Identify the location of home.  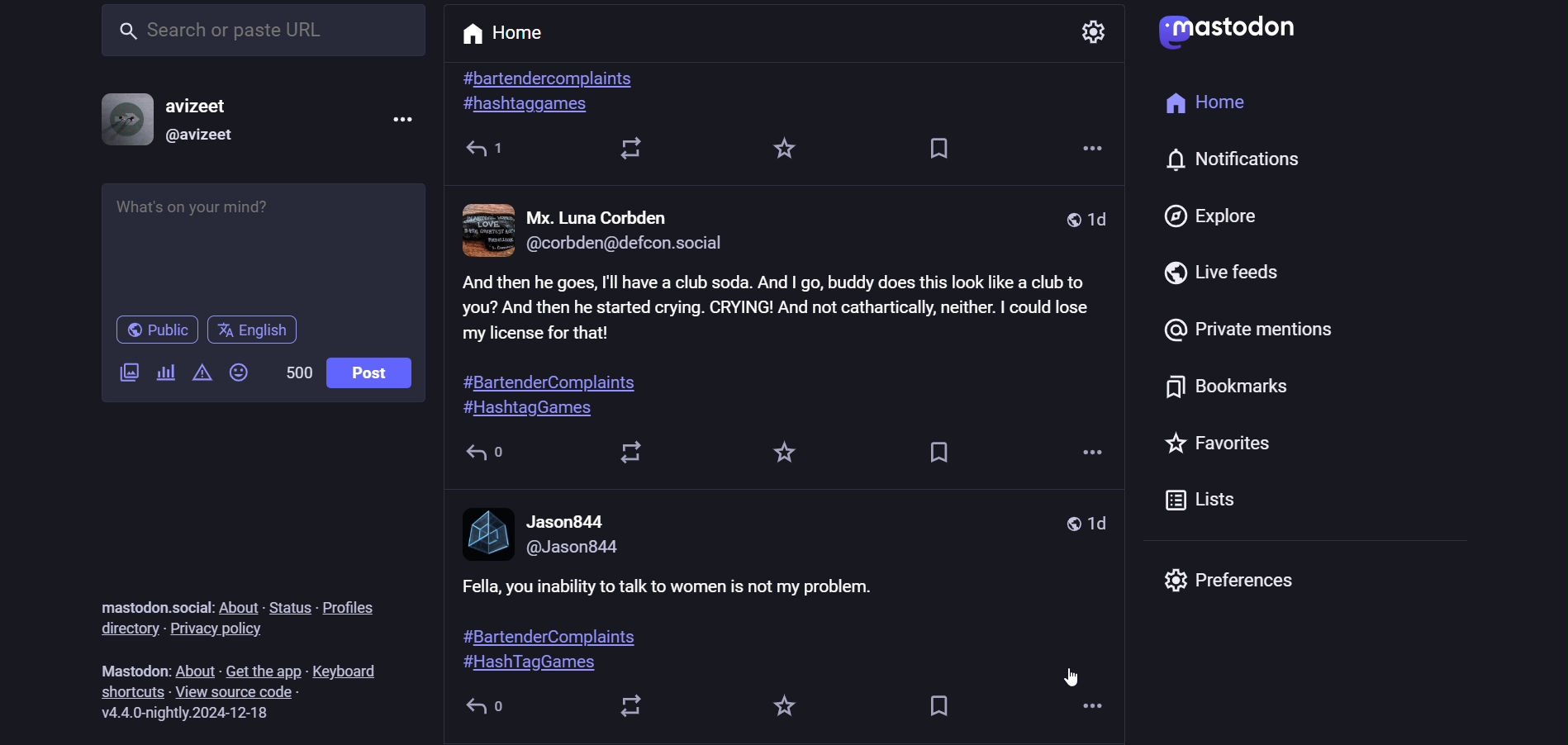
(1206, 104).